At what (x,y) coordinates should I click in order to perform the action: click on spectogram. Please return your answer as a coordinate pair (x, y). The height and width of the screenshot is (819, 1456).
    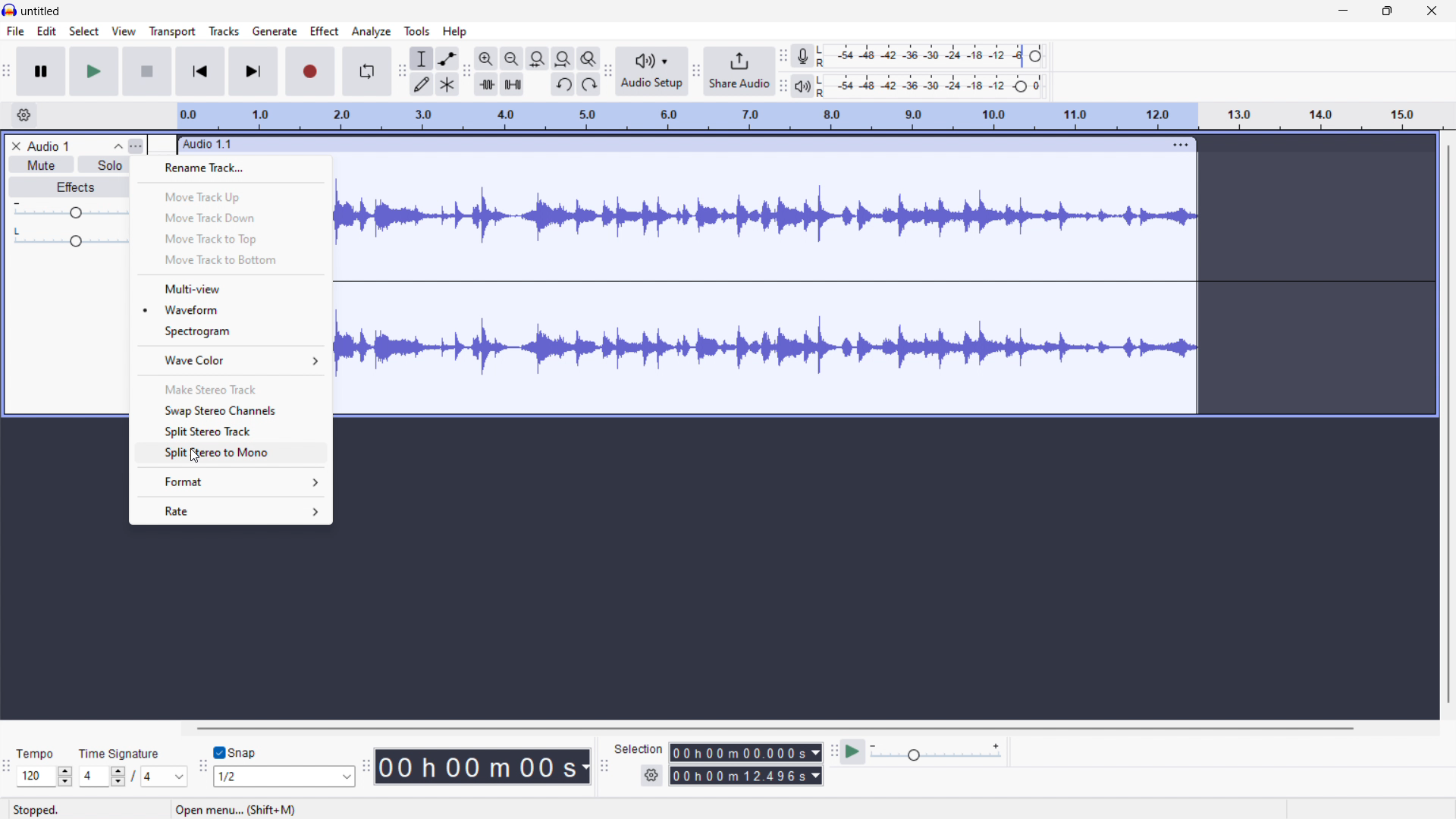
    Looking at the image, I should click on (231, 331).